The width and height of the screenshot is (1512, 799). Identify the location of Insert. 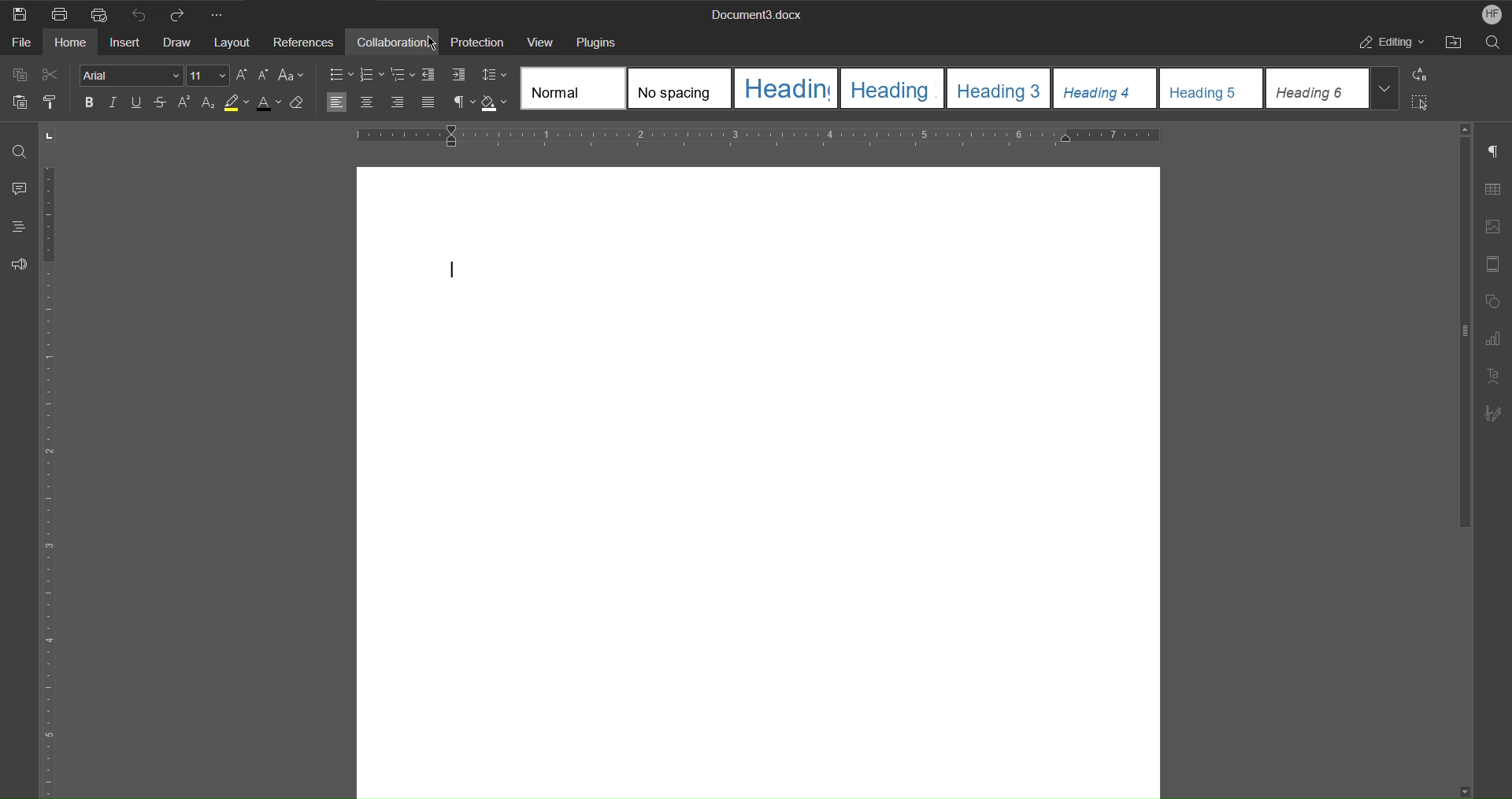
(128, 46).